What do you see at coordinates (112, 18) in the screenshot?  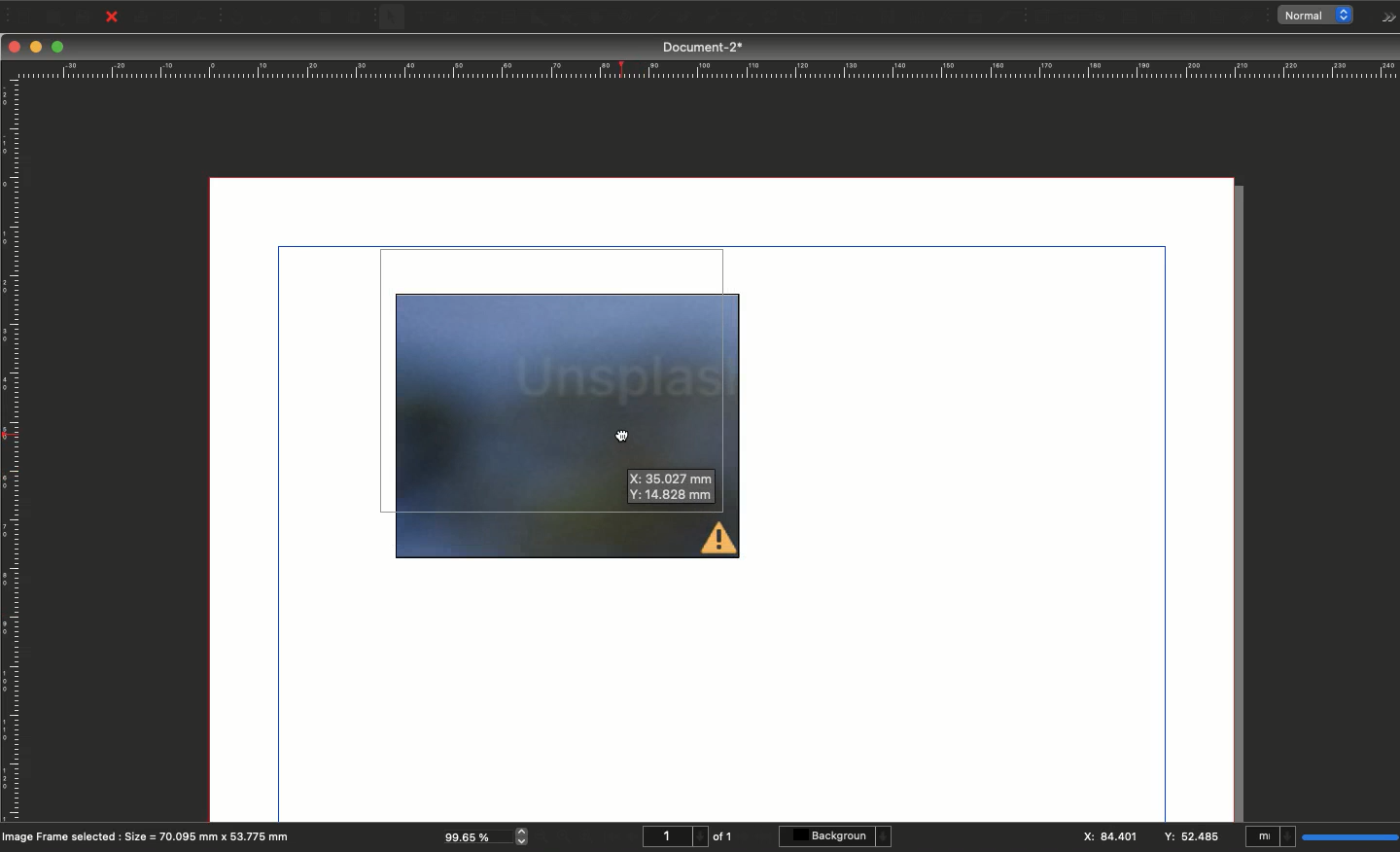 I see `Close` at bounding box center [112, 18].